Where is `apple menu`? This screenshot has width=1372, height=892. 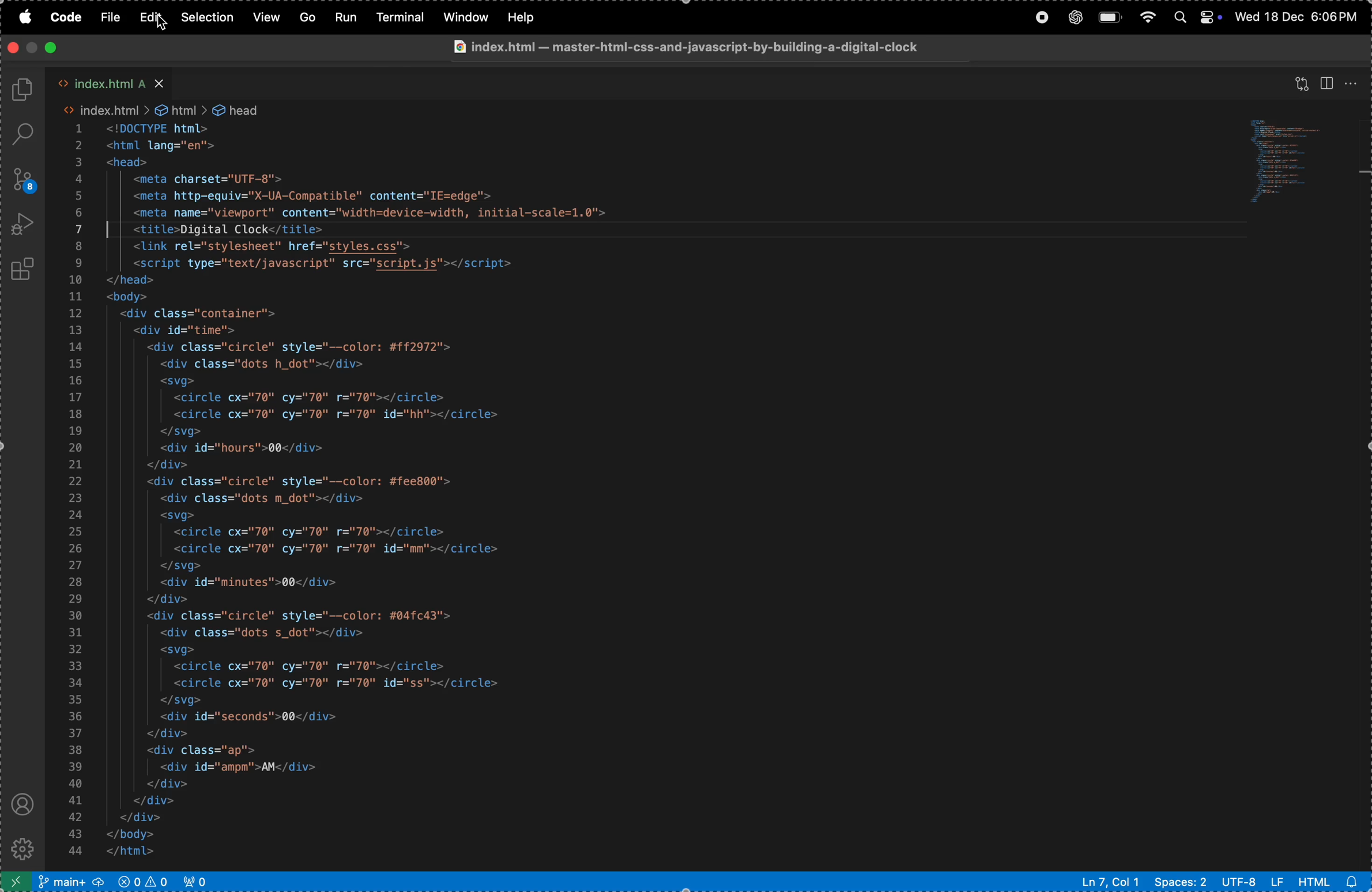
apple menu is located at coordinates (22, 18).